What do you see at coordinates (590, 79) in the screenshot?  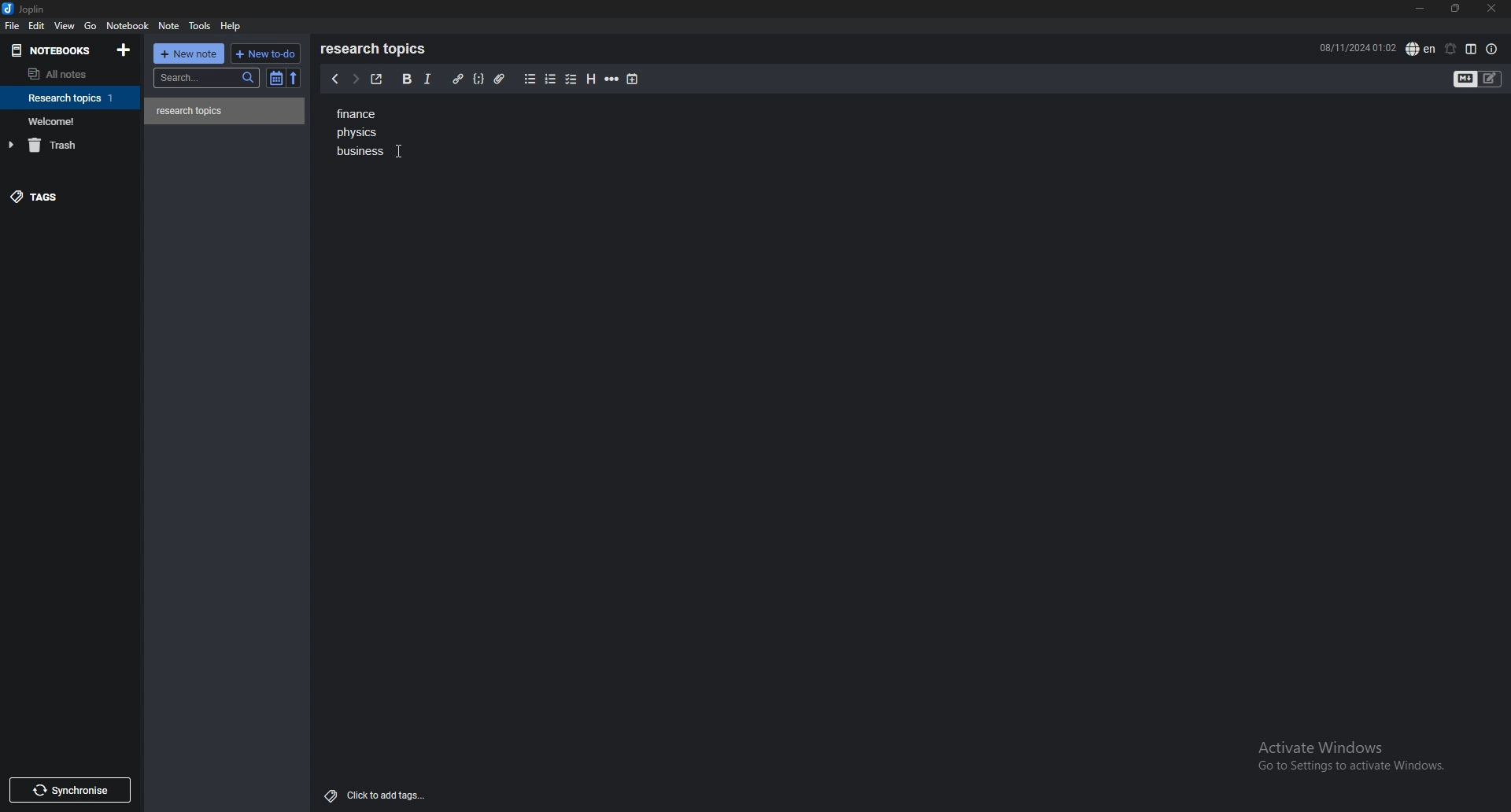 I see `heading` at bounding box center [590, 79].